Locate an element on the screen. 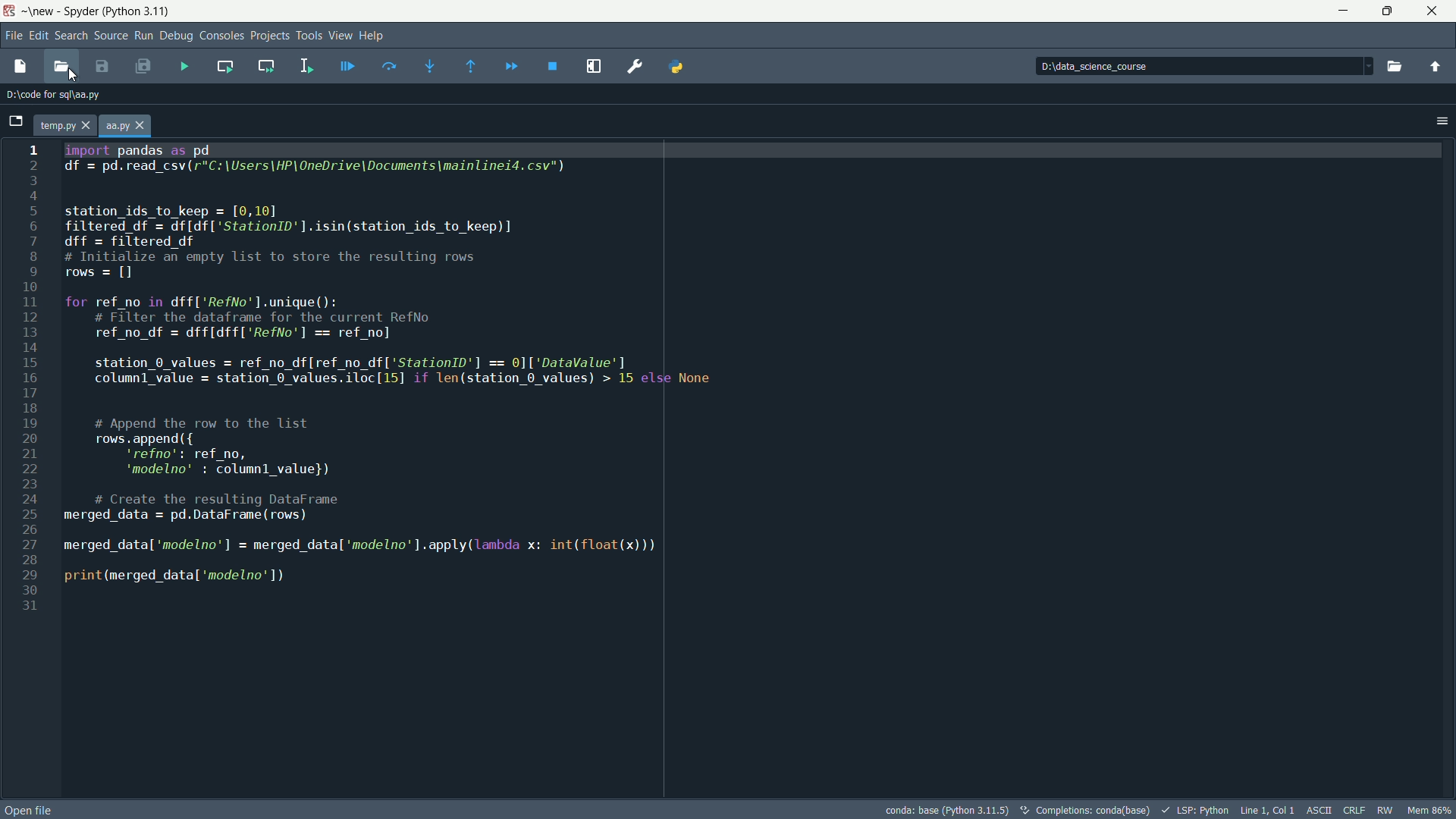 This screenshot has width=1456, height=819. run selection or current line is located at coordinates (307, 66).